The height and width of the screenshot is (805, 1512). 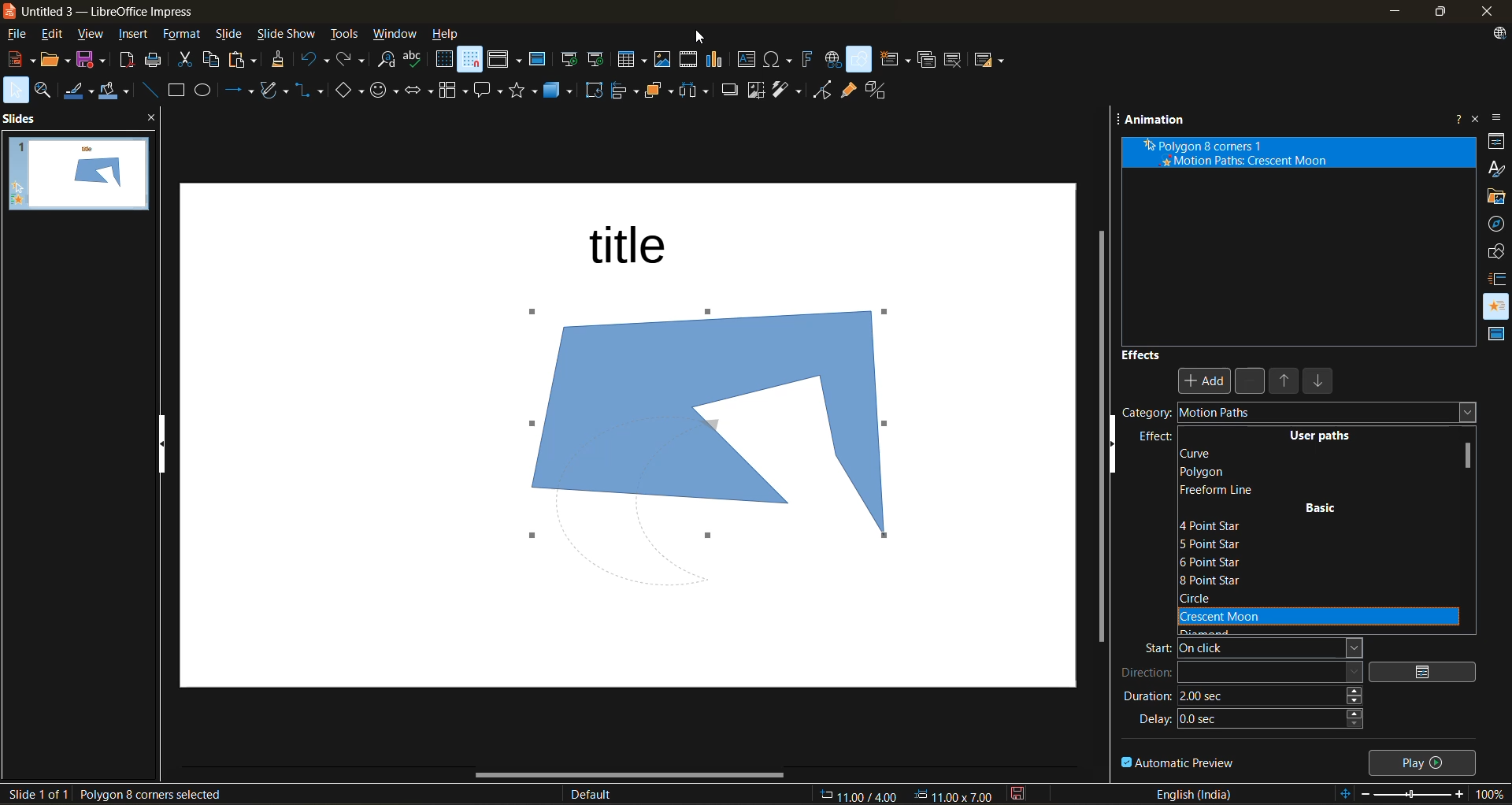 I want to click on automatic preview, so click(x=1180, y=762).